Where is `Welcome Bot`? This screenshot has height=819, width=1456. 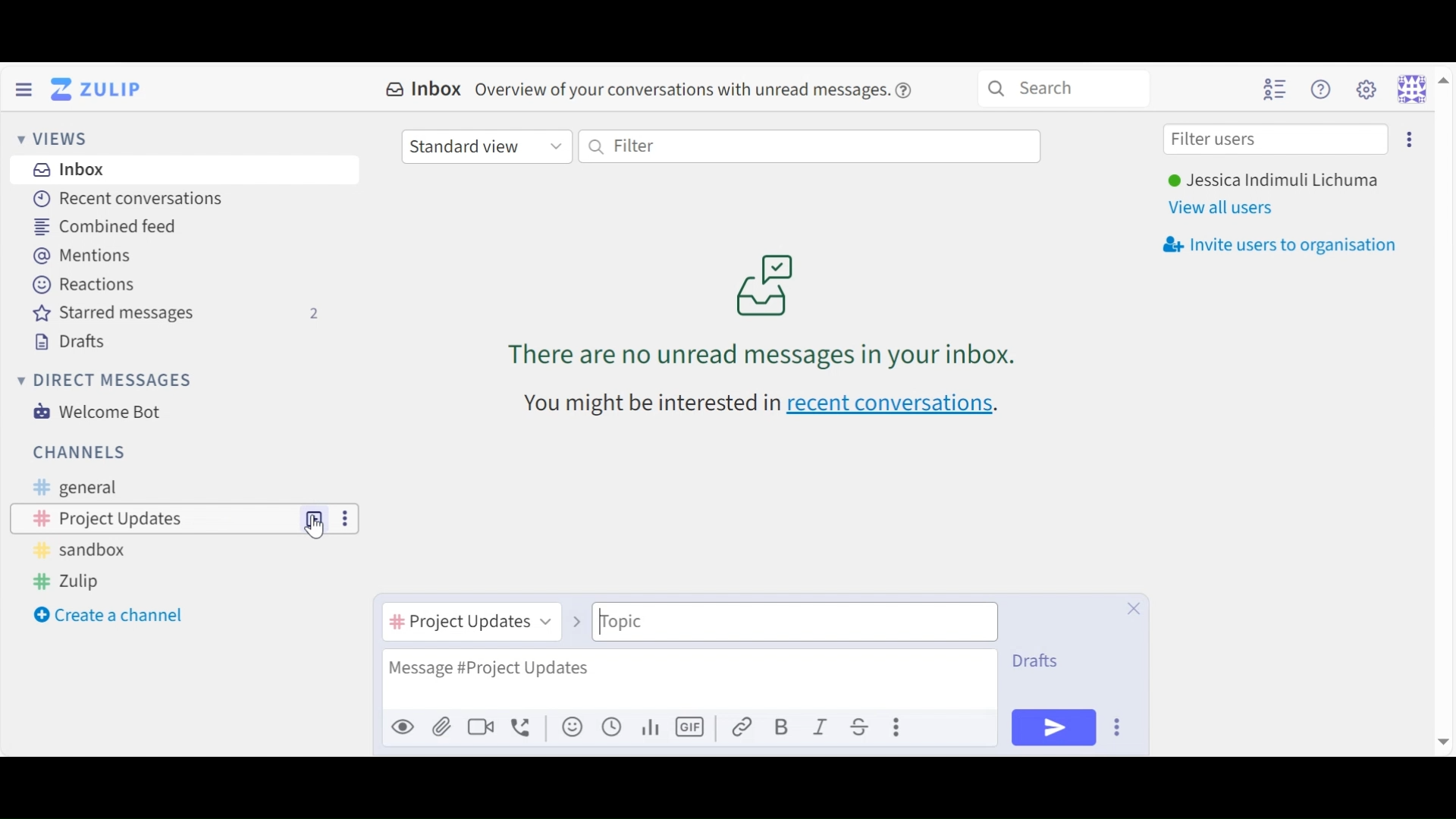
Welcome Bot is located at coordinates (102, 412).